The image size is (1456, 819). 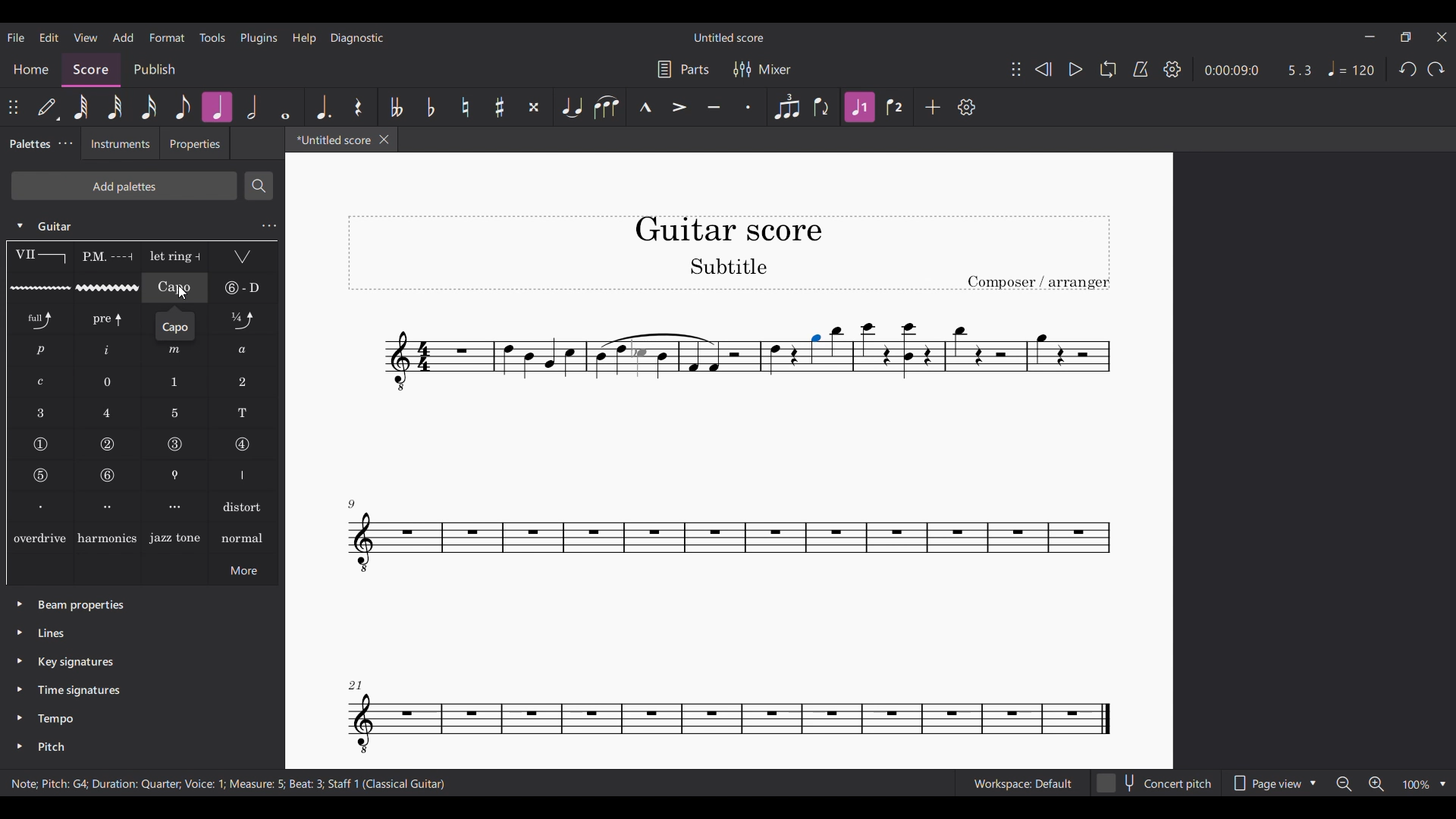 What do you see at coordinates (1076, 70) in the screenshot?
I see `Play` at bounding box center [1076, 70].